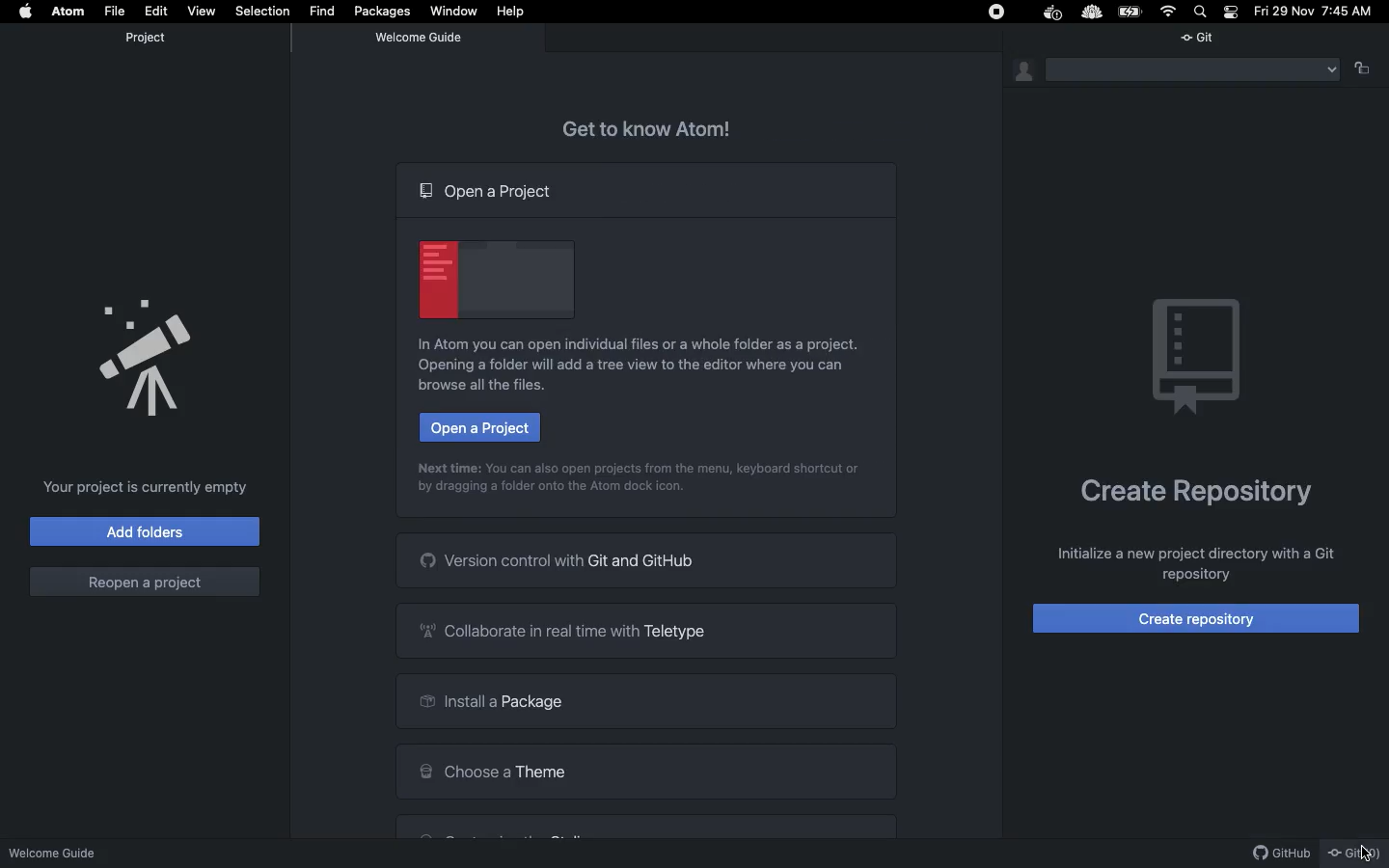  Describe the element at coordinates (201, 10) in the screenshot. I see `View` at that location.